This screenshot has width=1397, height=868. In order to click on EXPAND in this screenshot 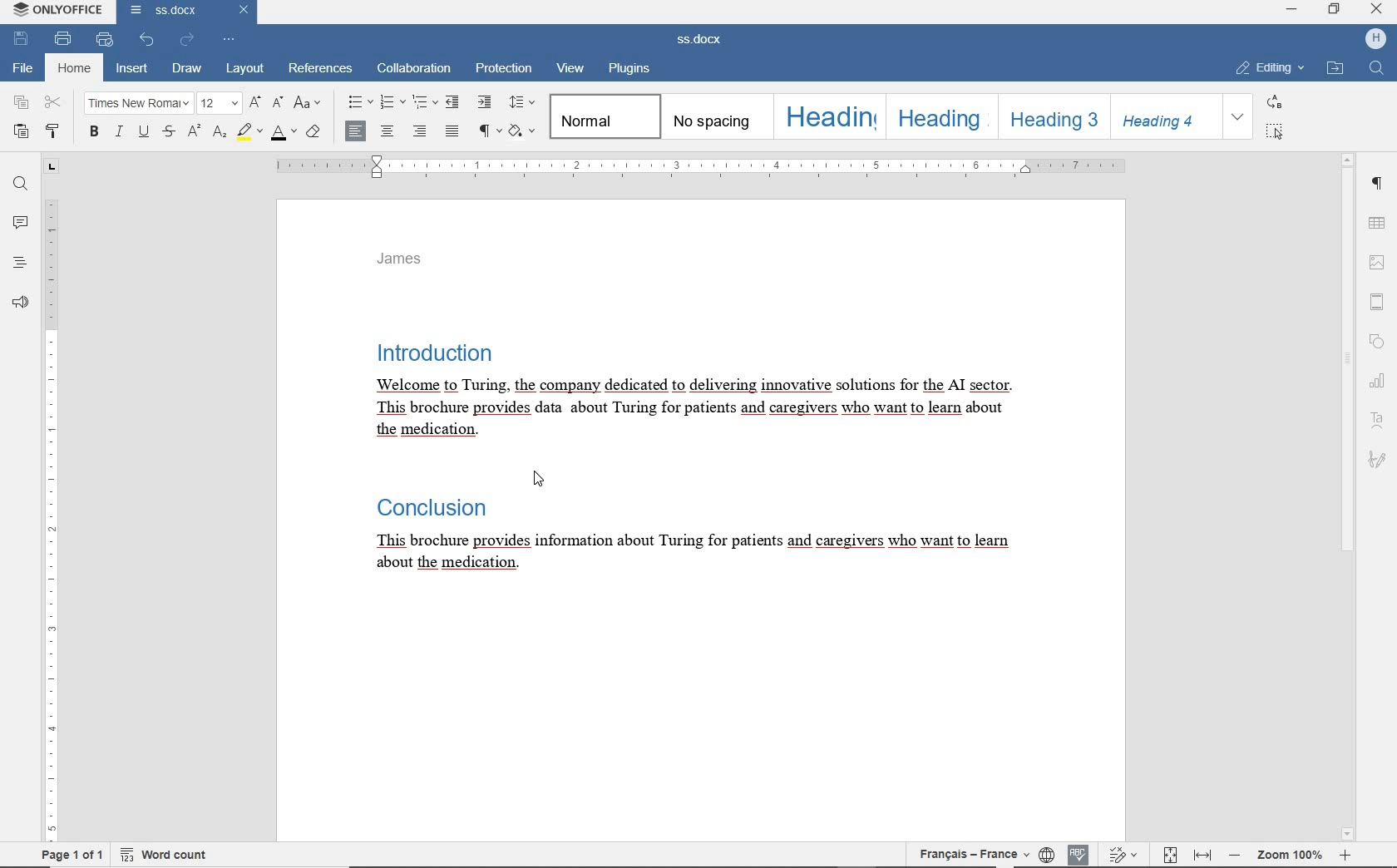, I will do `click(1239, 118)`.